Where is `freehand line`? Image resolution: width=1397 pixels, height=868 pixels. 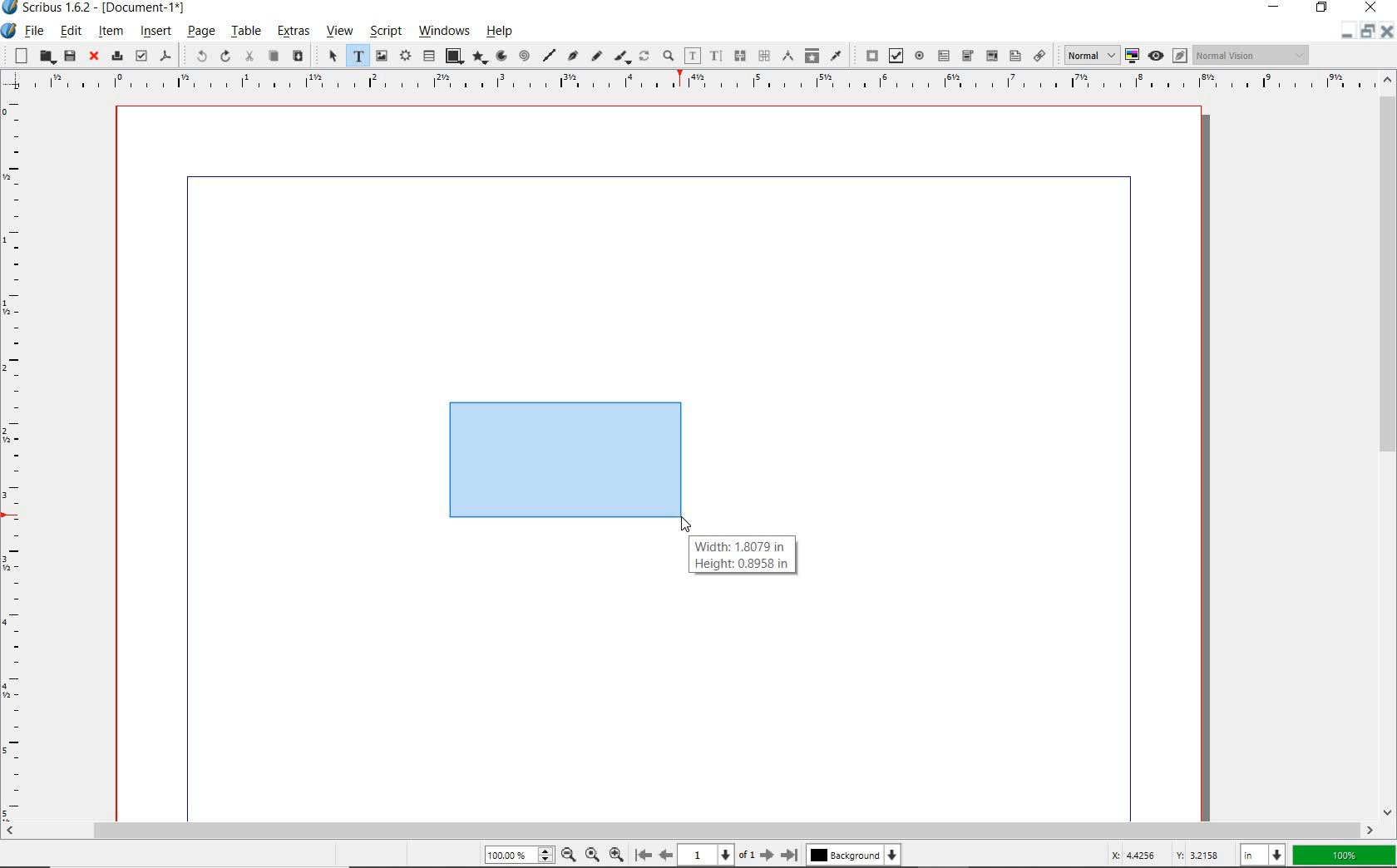 freehand line is located at coordinates (597, 57).